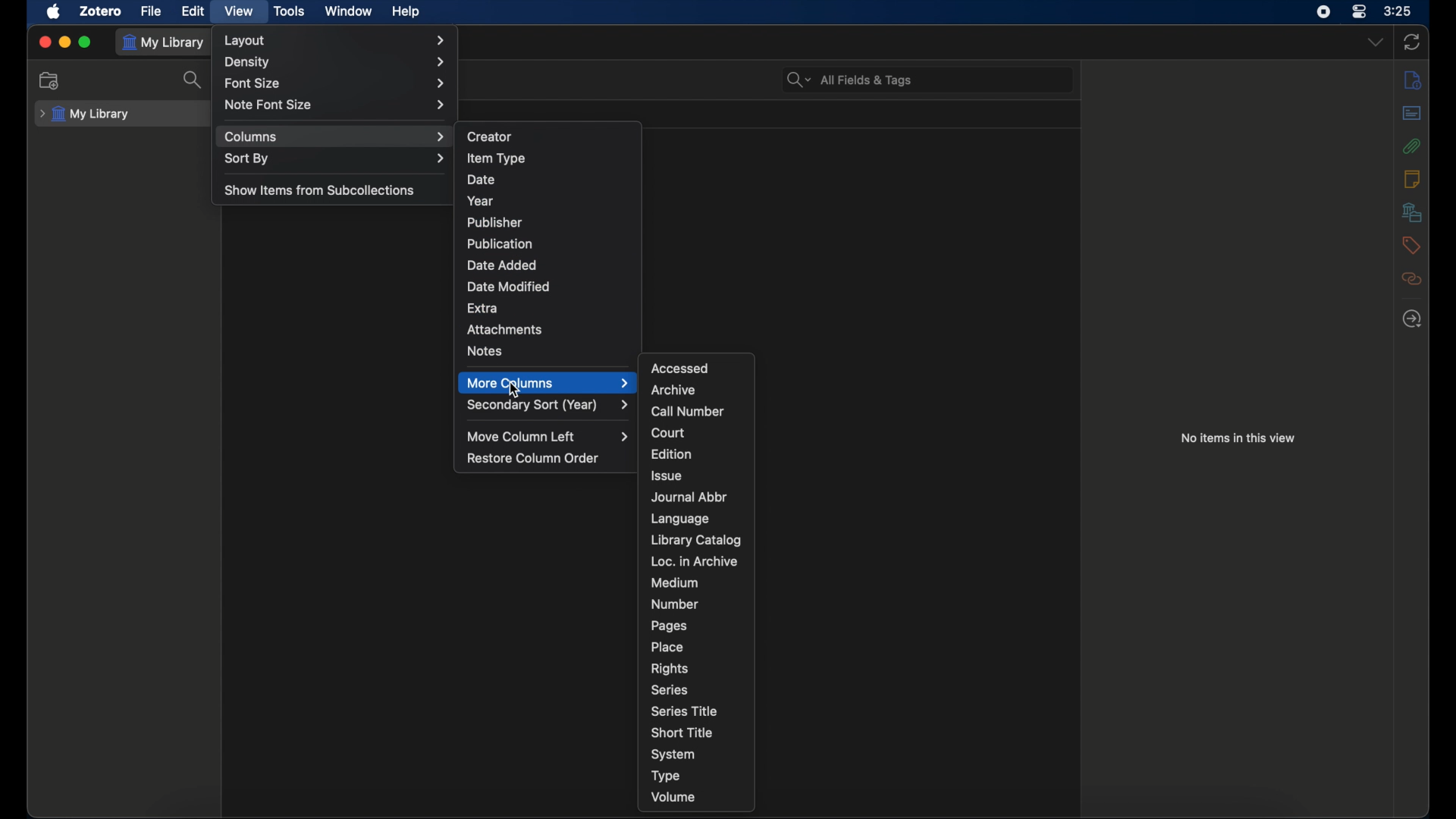  Describe the element at coordinates (494, 222) in the screenshot. I see `publisher` at that location.